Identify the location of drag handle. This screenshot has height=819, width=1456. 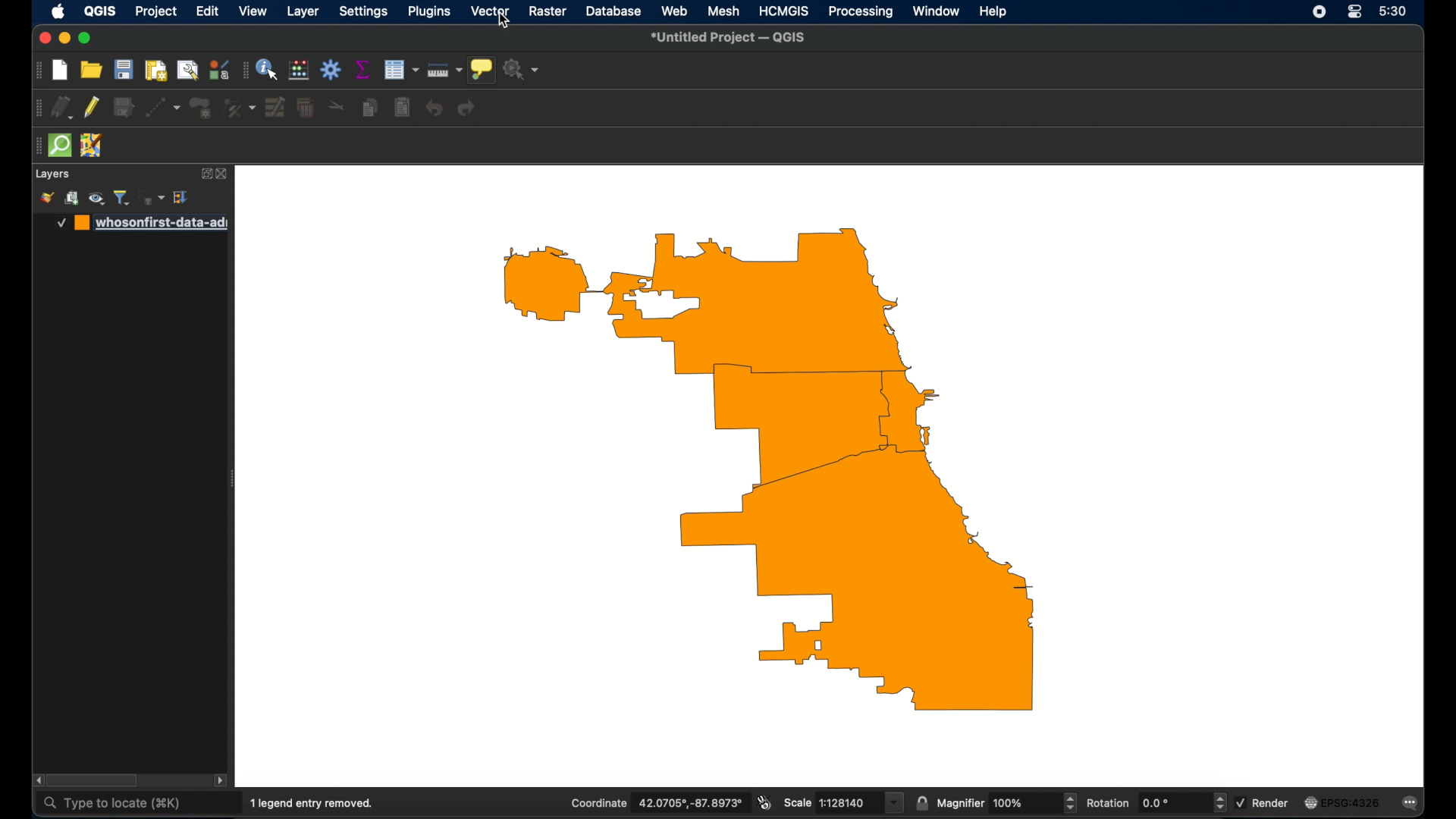
(37, 70).